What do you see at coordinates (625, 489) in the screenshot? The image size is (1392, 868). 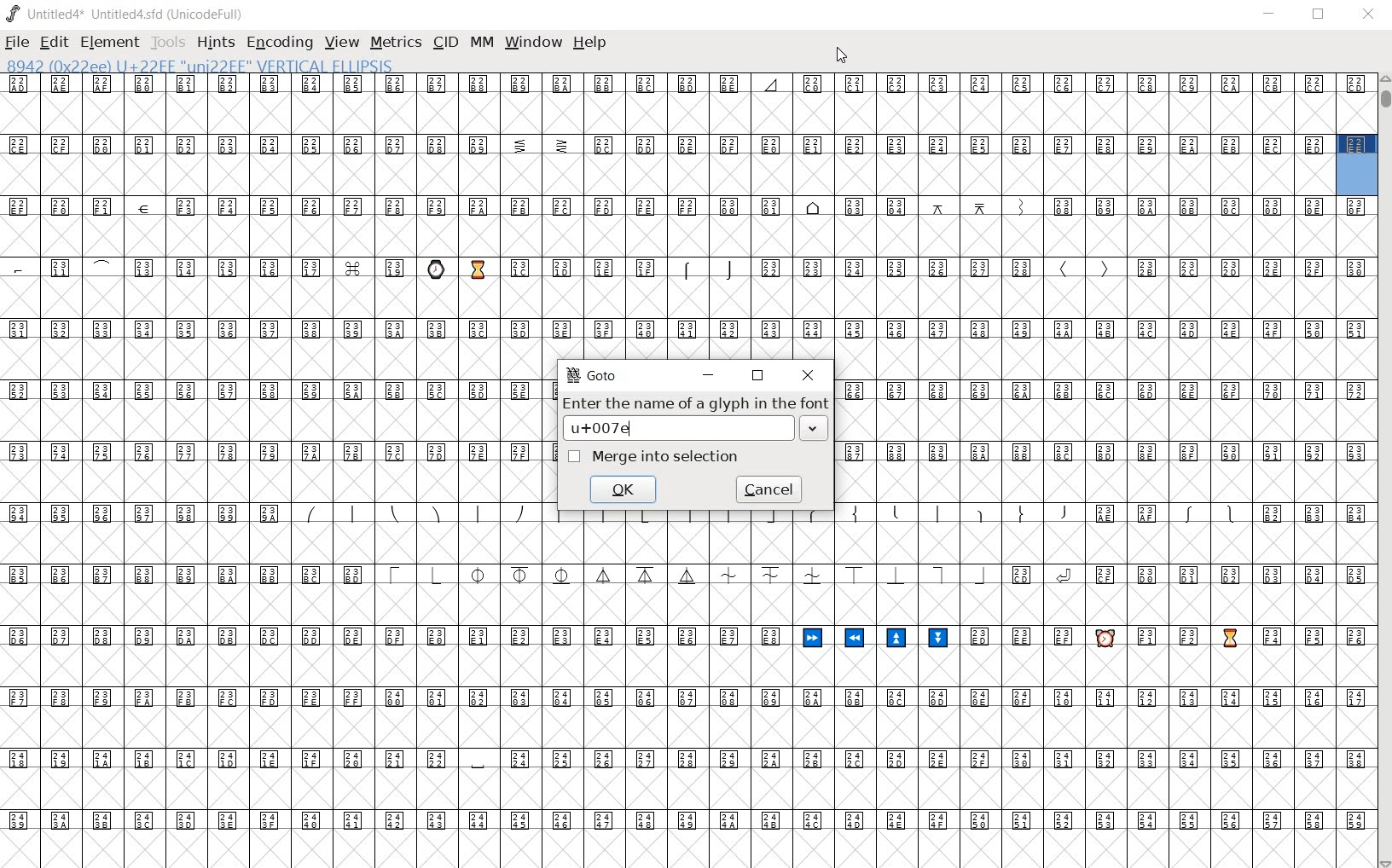 I see `ok` at bounding box center [625, 489].